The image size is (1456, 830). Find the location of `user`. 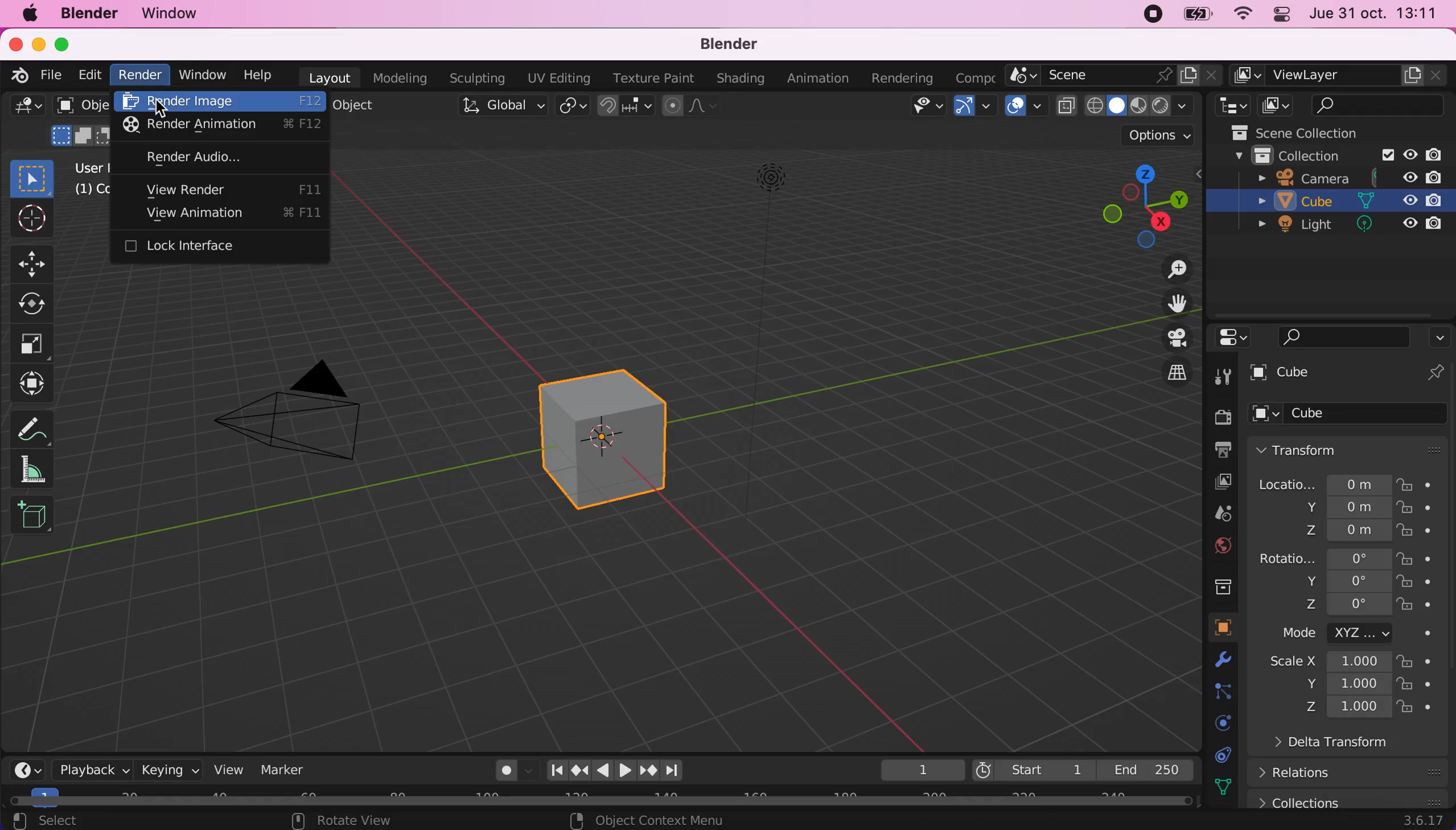

user is located at coordinates (88, 179).